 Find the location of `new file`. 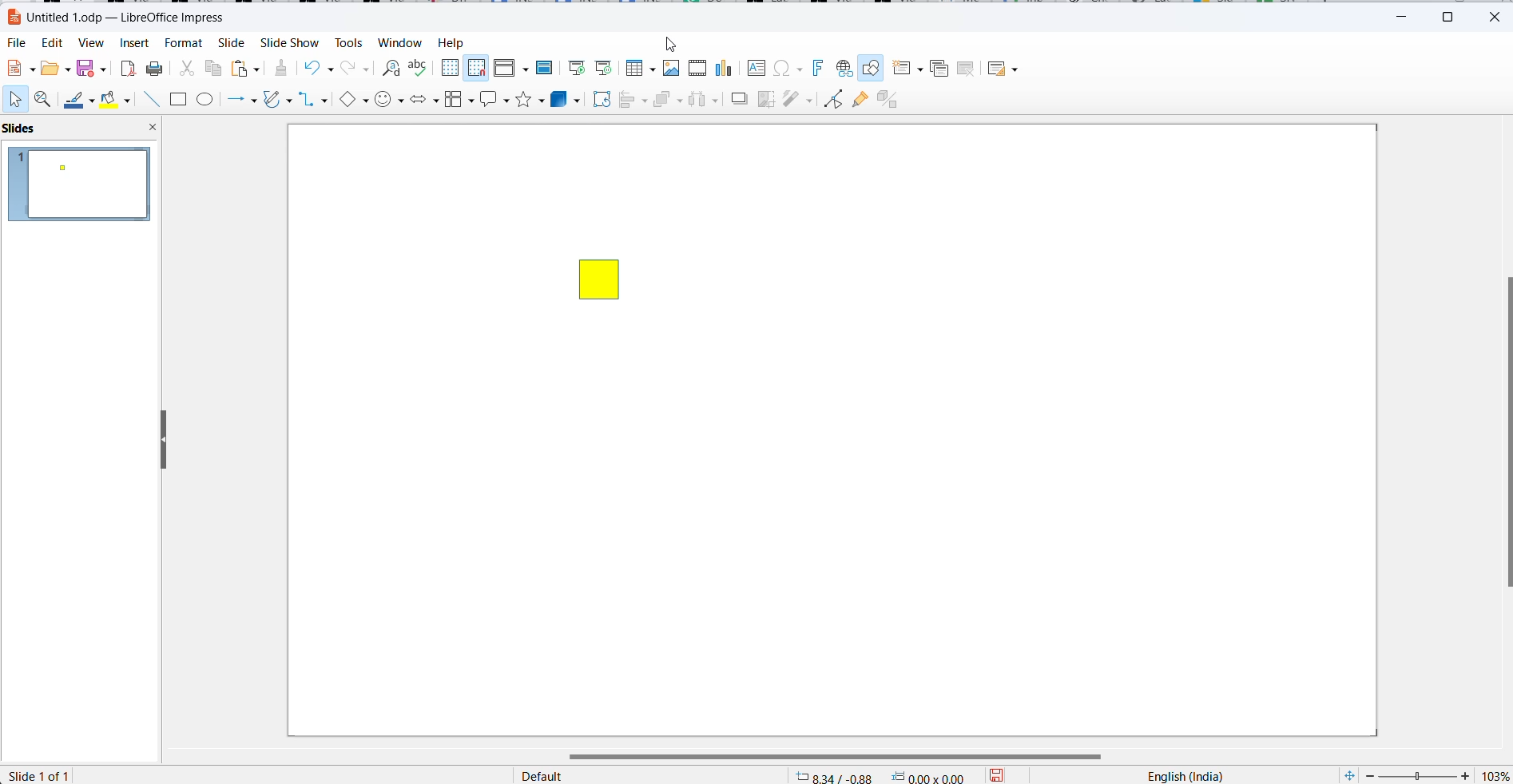

new file is located at coordinates (19, 69).